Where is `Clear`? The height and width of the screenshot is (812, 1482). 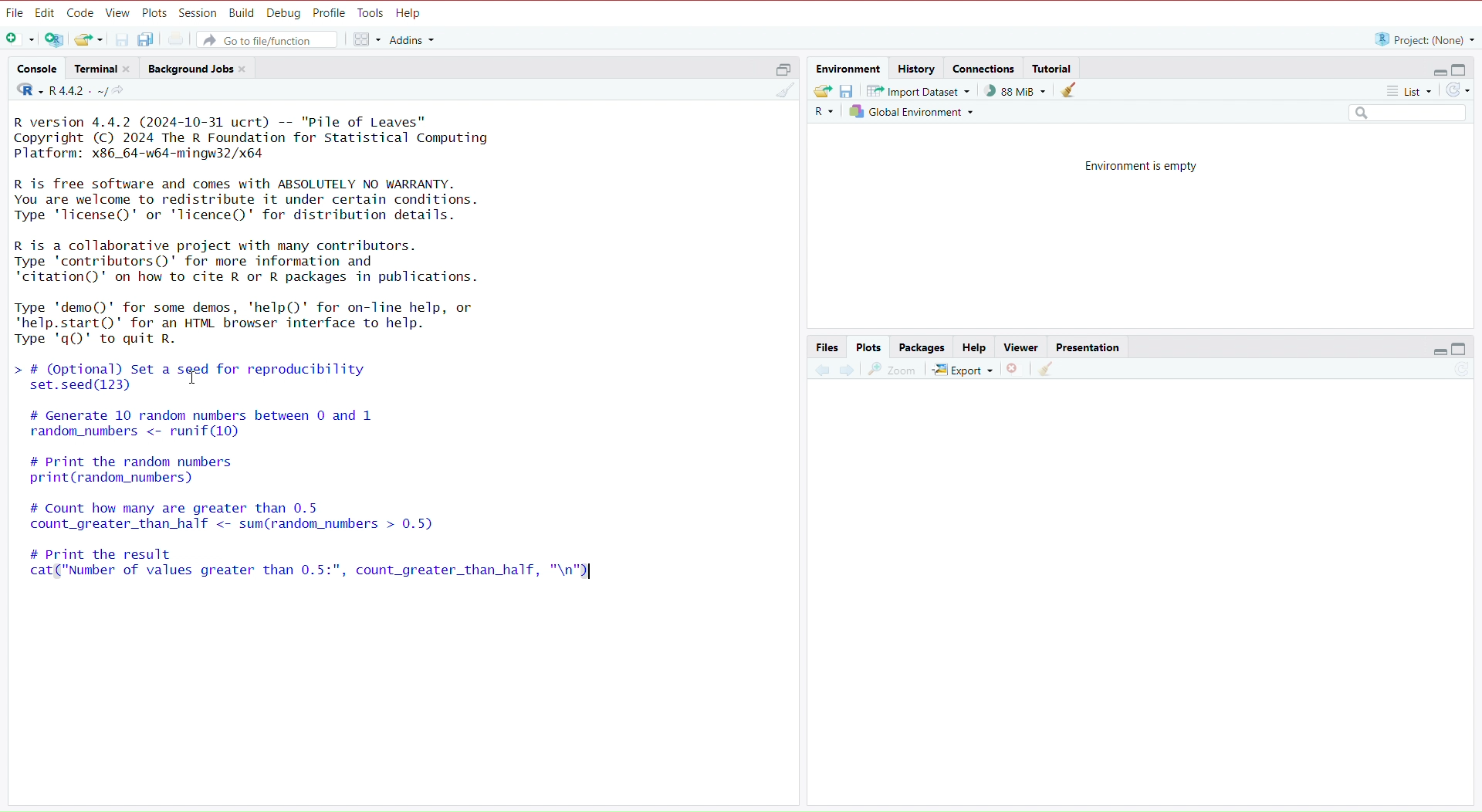
Clear is located at coordinates (1046, 369).